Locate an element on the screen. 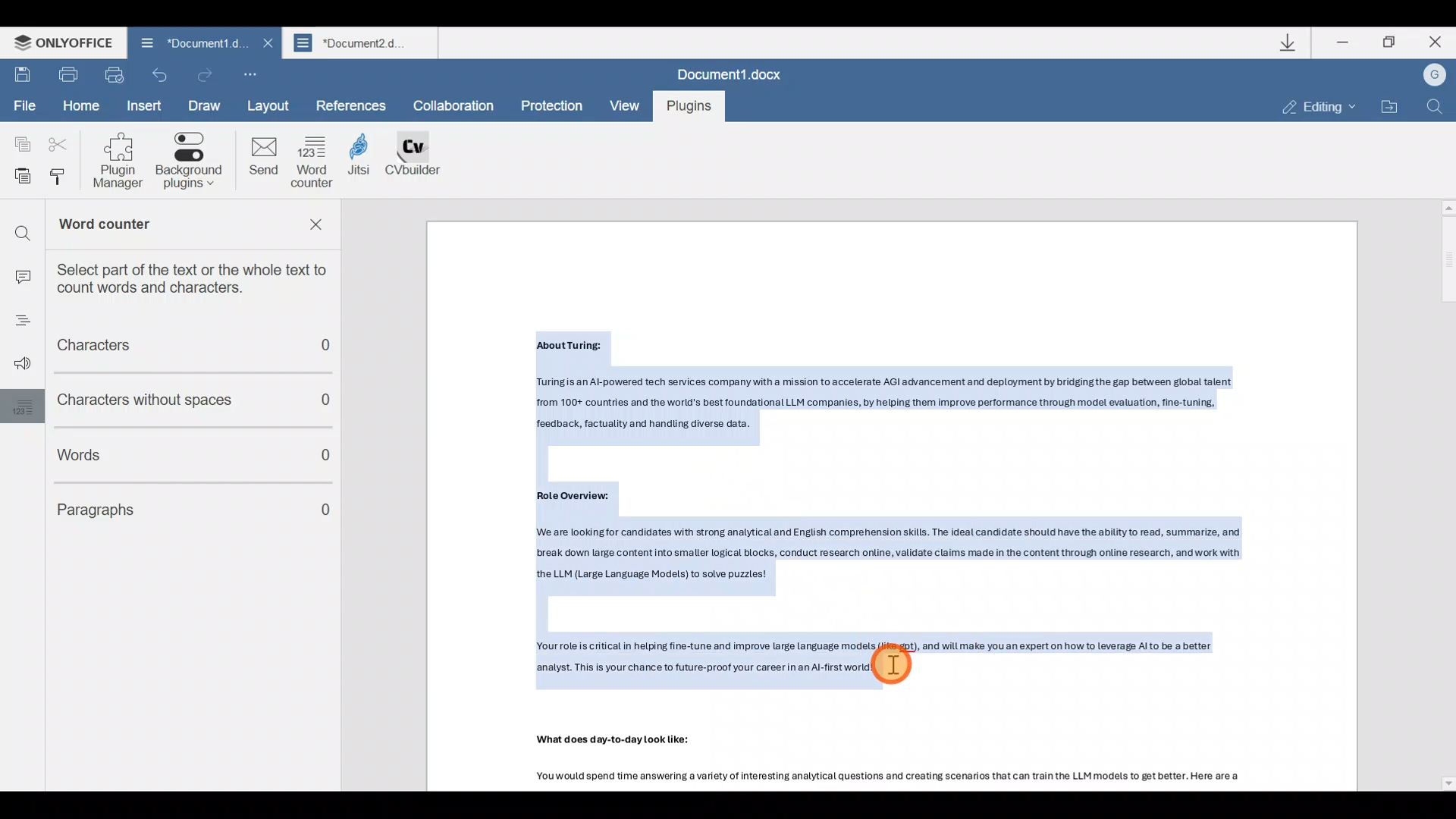  Customize quick access toolbar is located at coordinates (247, 70).